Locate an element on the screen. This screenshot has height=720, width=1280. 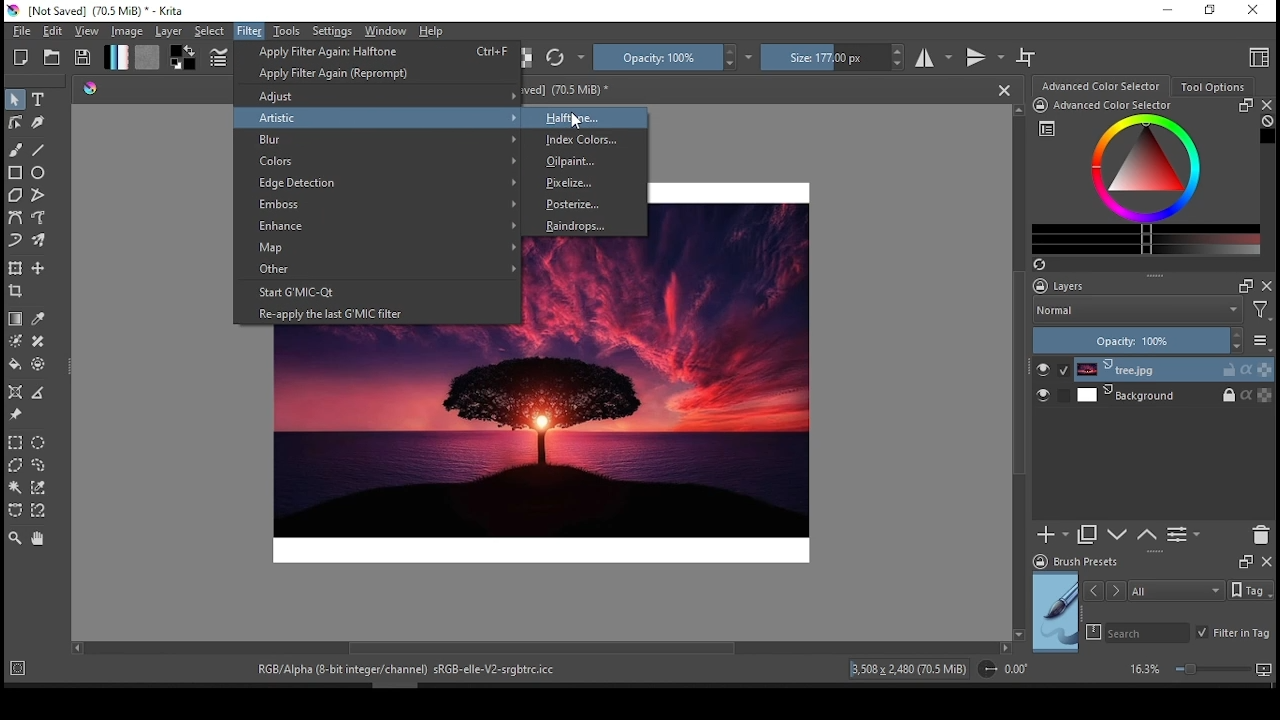
image is located at coordinates (128, 32).